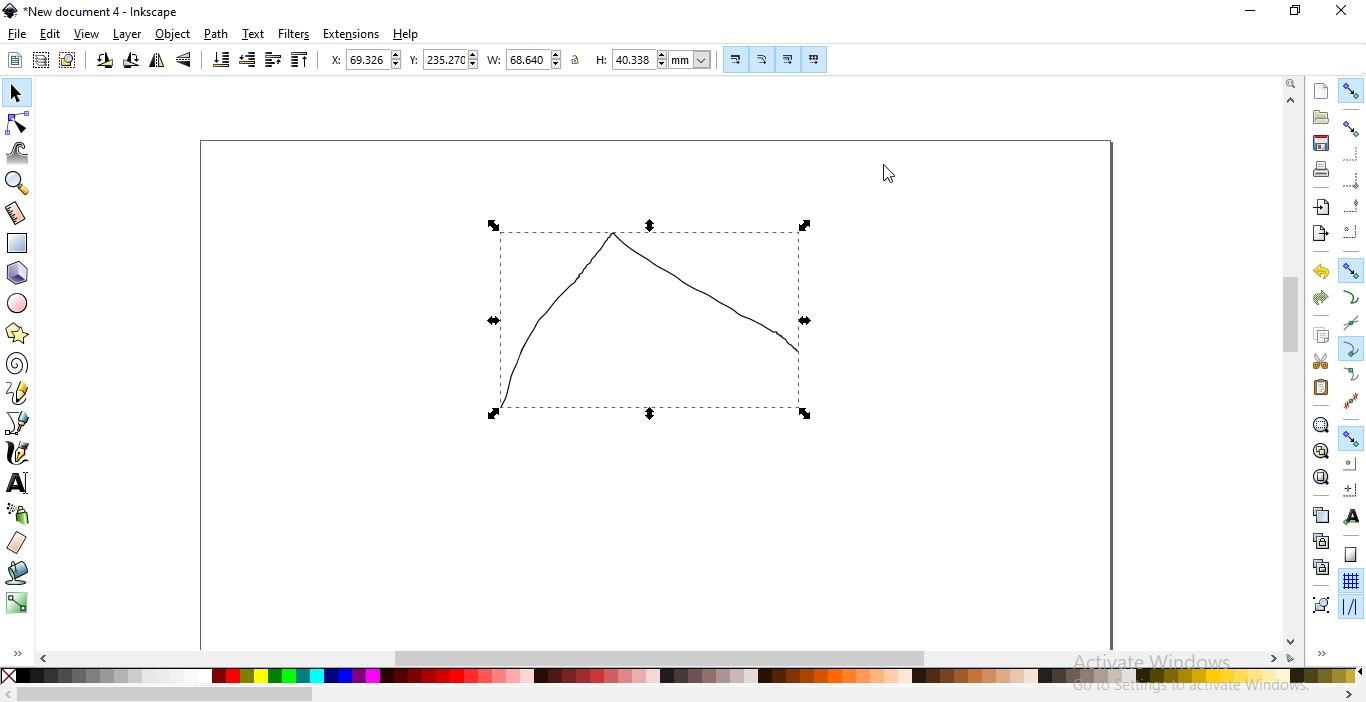  What do you see at coordinates (1296, 11) in the screenshot?
I see `restore down` at bounding box center [1296, 11].